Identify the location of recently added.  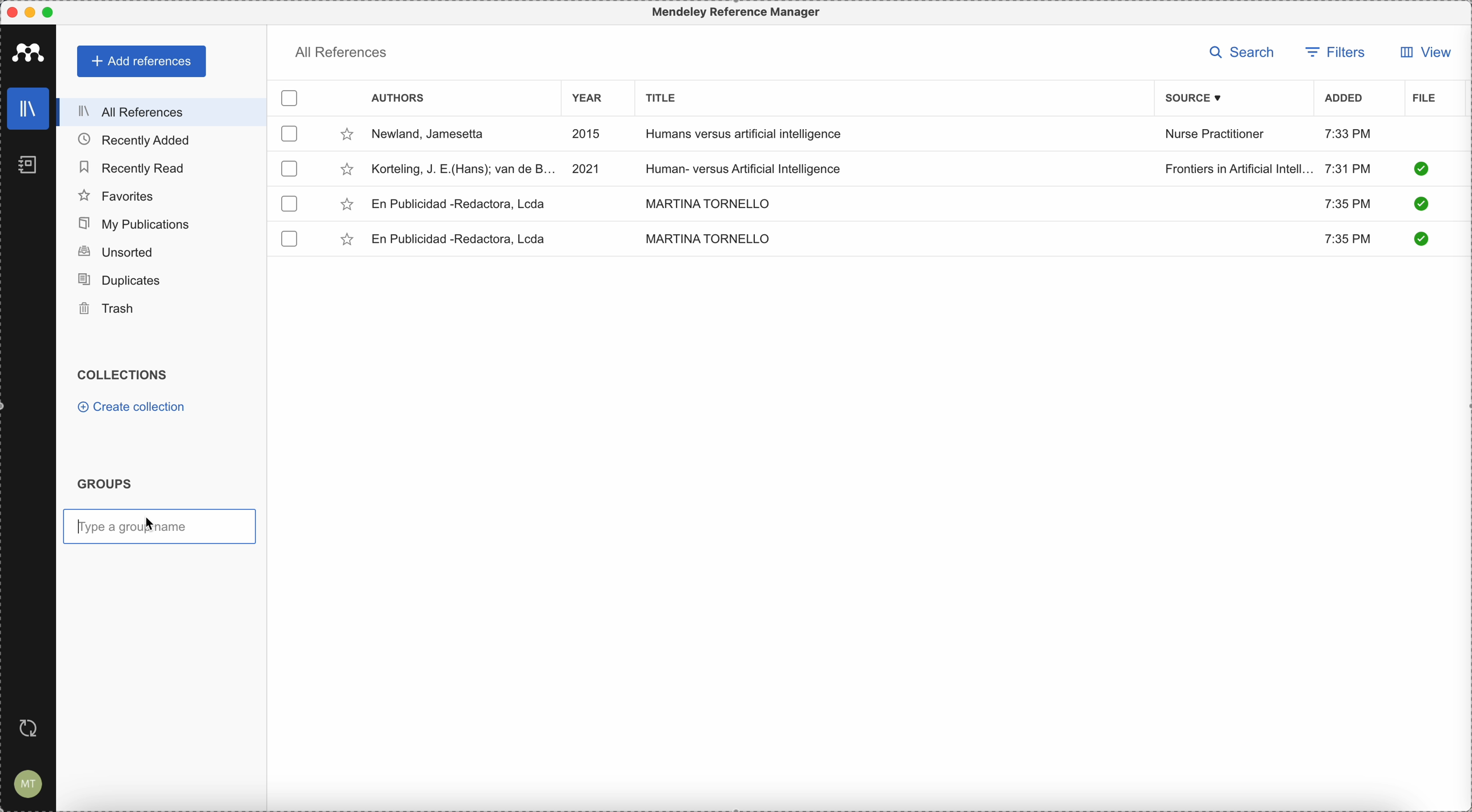
(143, 139).